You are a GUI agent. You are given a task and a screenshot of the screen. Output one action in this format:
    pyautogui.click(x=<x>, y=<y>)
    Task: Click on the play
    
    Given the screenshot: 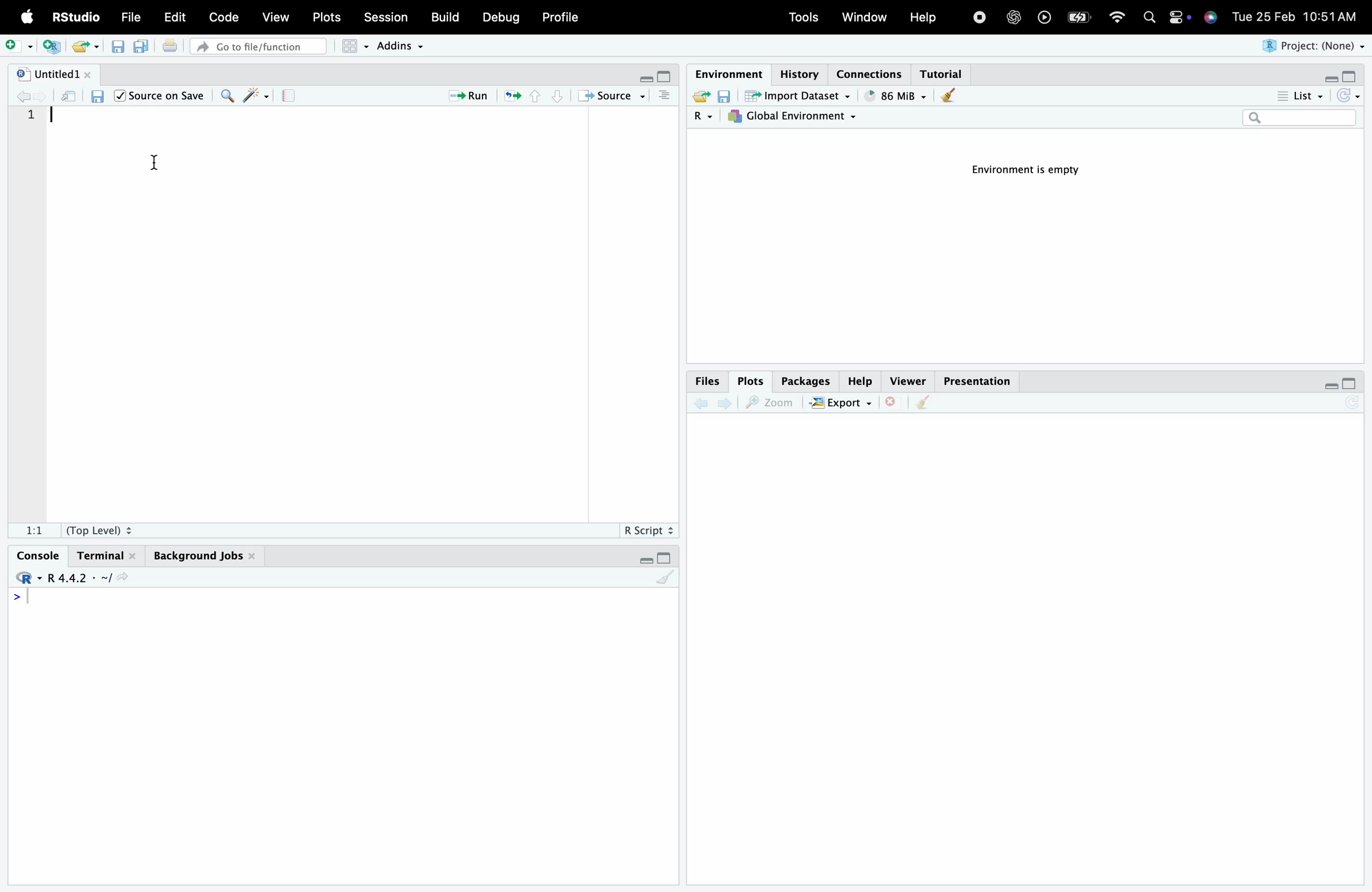 What is the action you would take?
    pyautogui.click(x=1045, y=16)
    